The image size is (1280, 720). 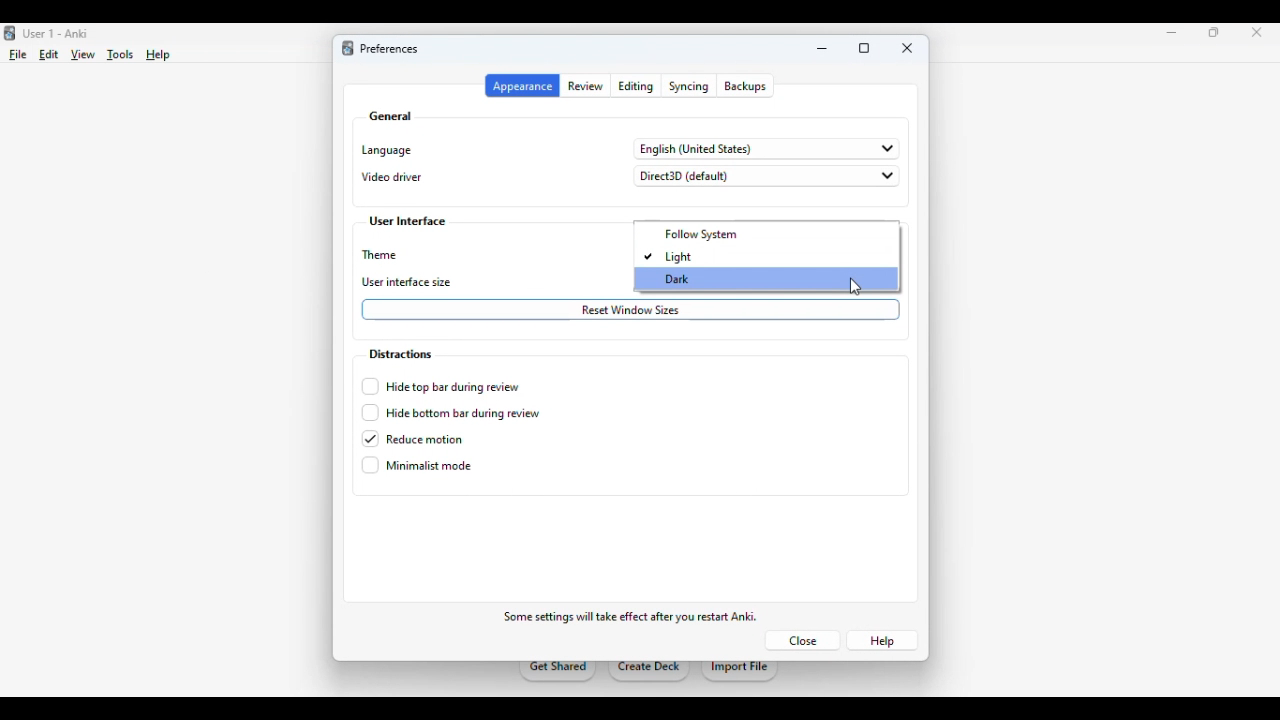 I want to click on view, so click(x=82, y=56).